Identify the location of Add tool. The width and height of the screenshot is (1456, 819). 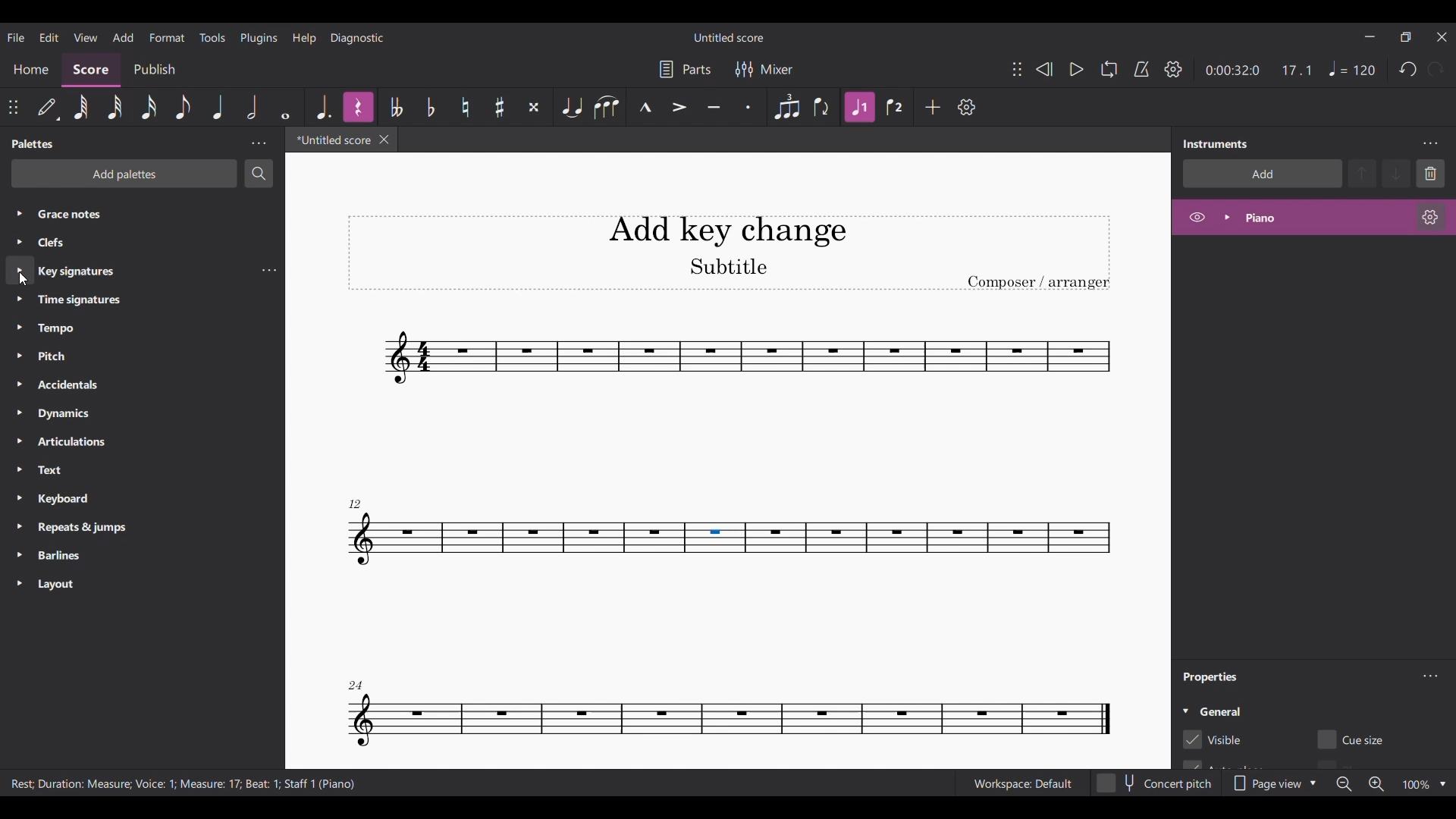
(933, 108).